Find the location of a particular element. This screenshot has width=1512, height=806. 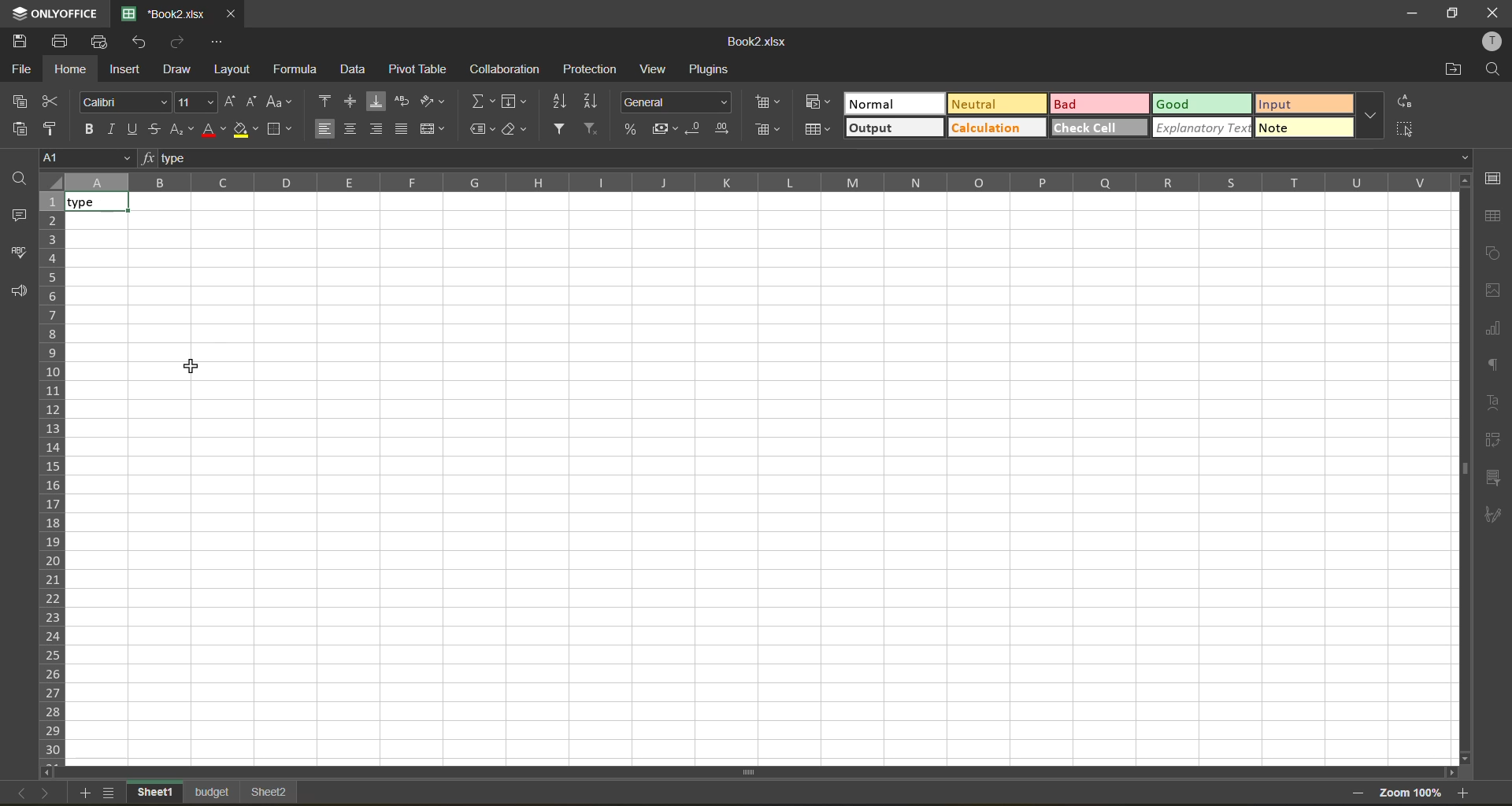

images is located at coordinates (1493, 292).